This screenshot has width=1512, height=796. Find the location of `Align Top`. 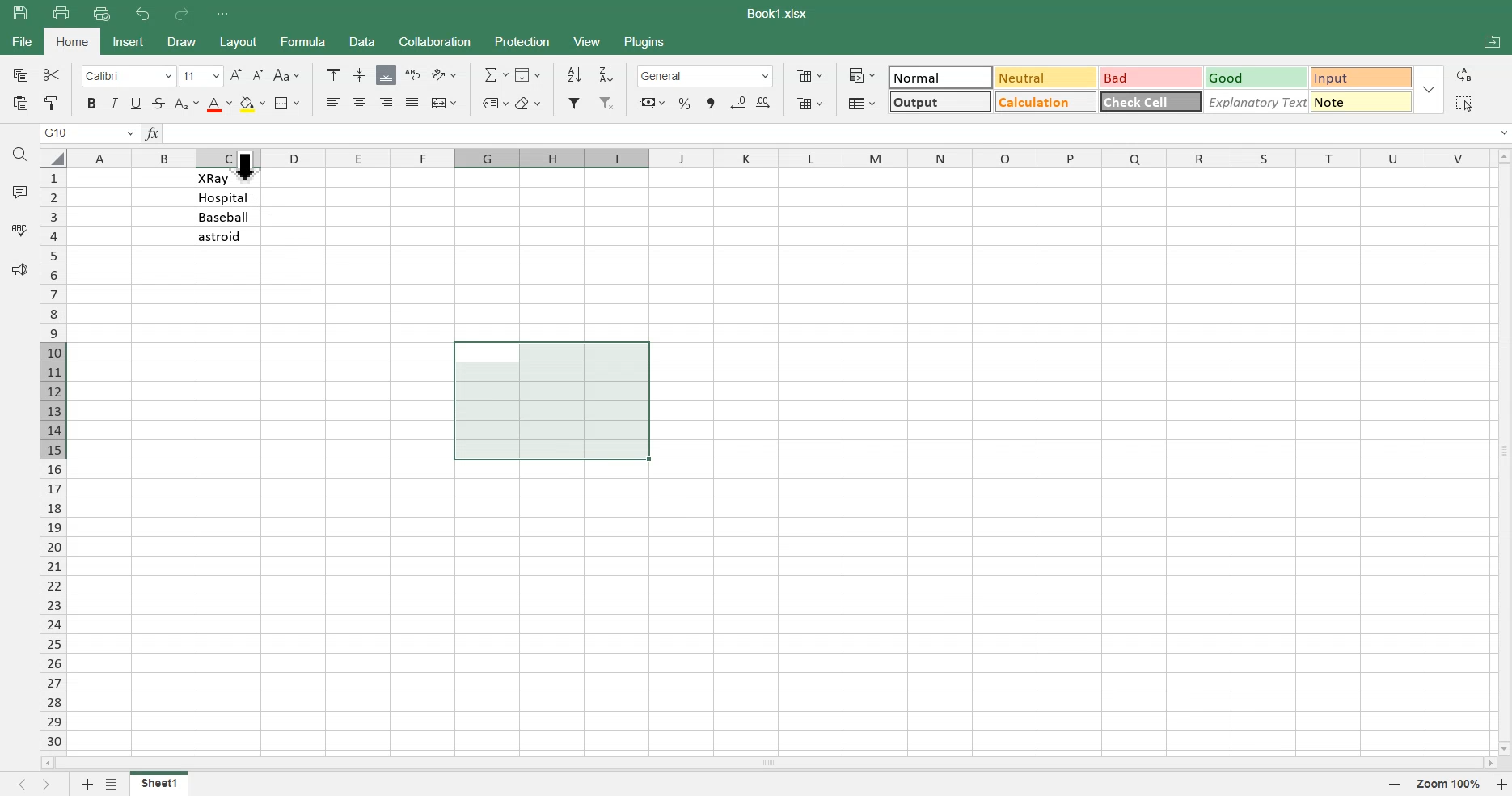

Align Top is located at coordinates (333, 74).